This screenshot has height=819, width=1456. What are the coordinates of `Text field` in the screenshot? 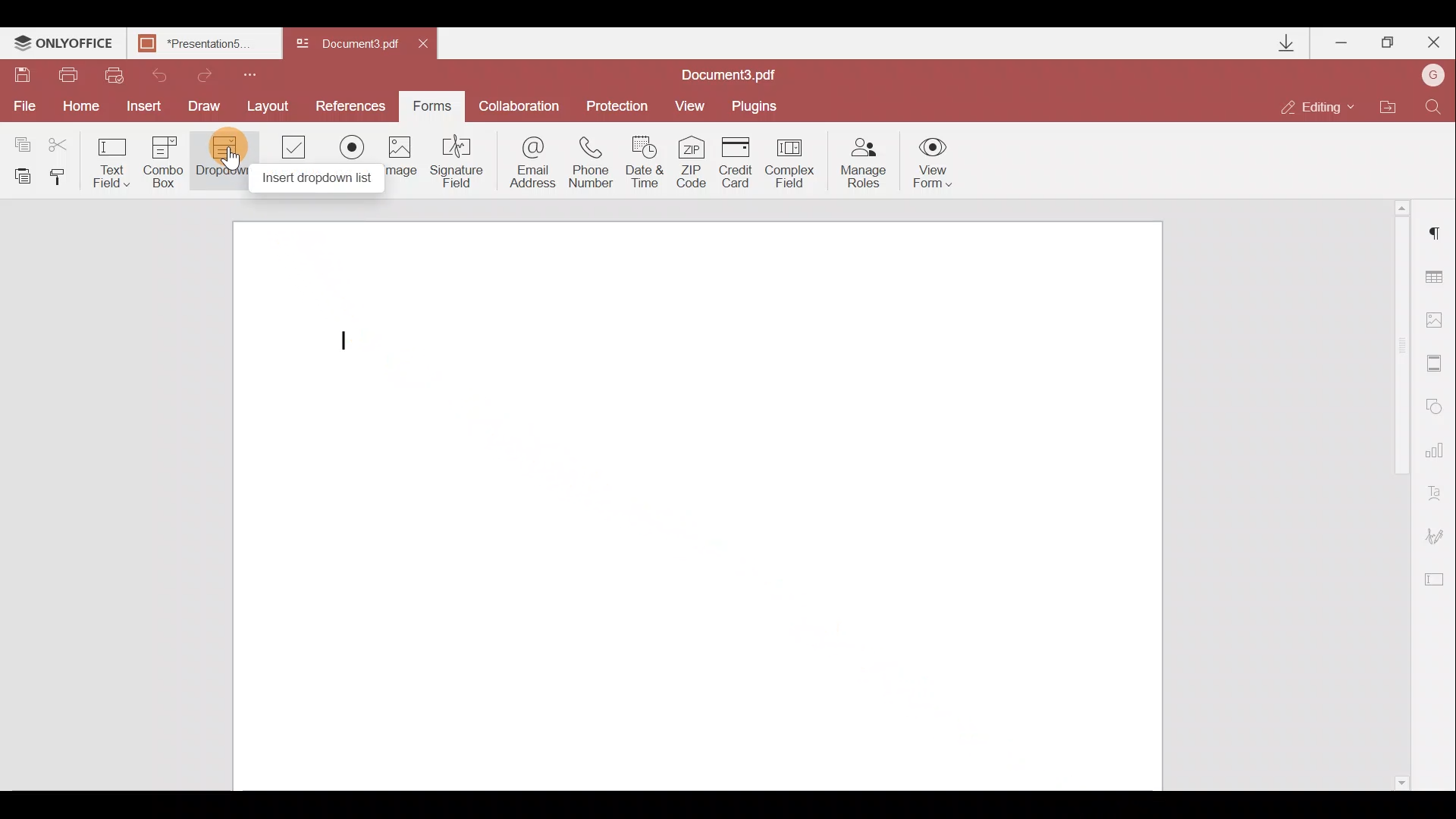 It's located at (112, 162).